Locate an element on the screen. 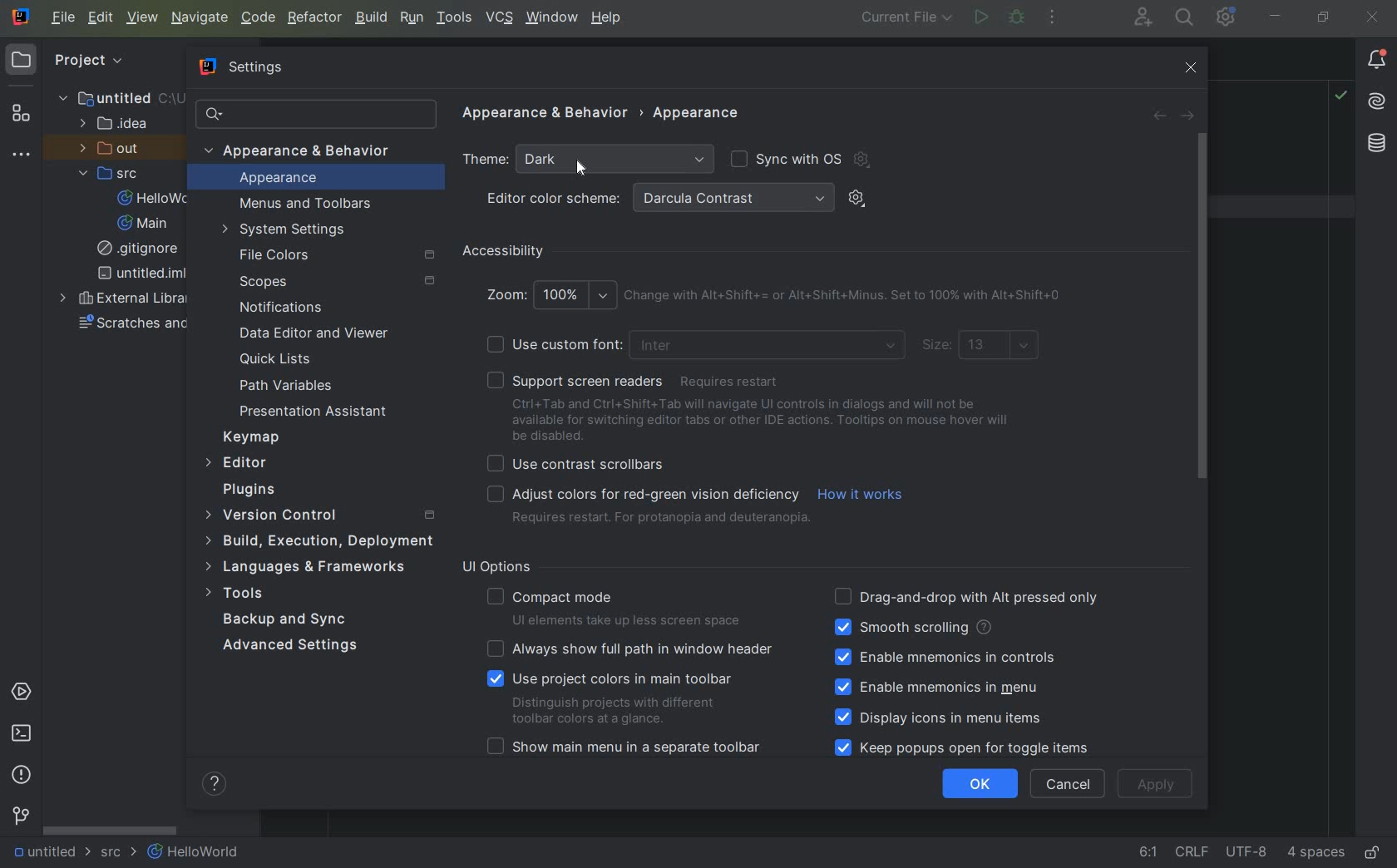  cancel is located at coordinates (1068, 784).